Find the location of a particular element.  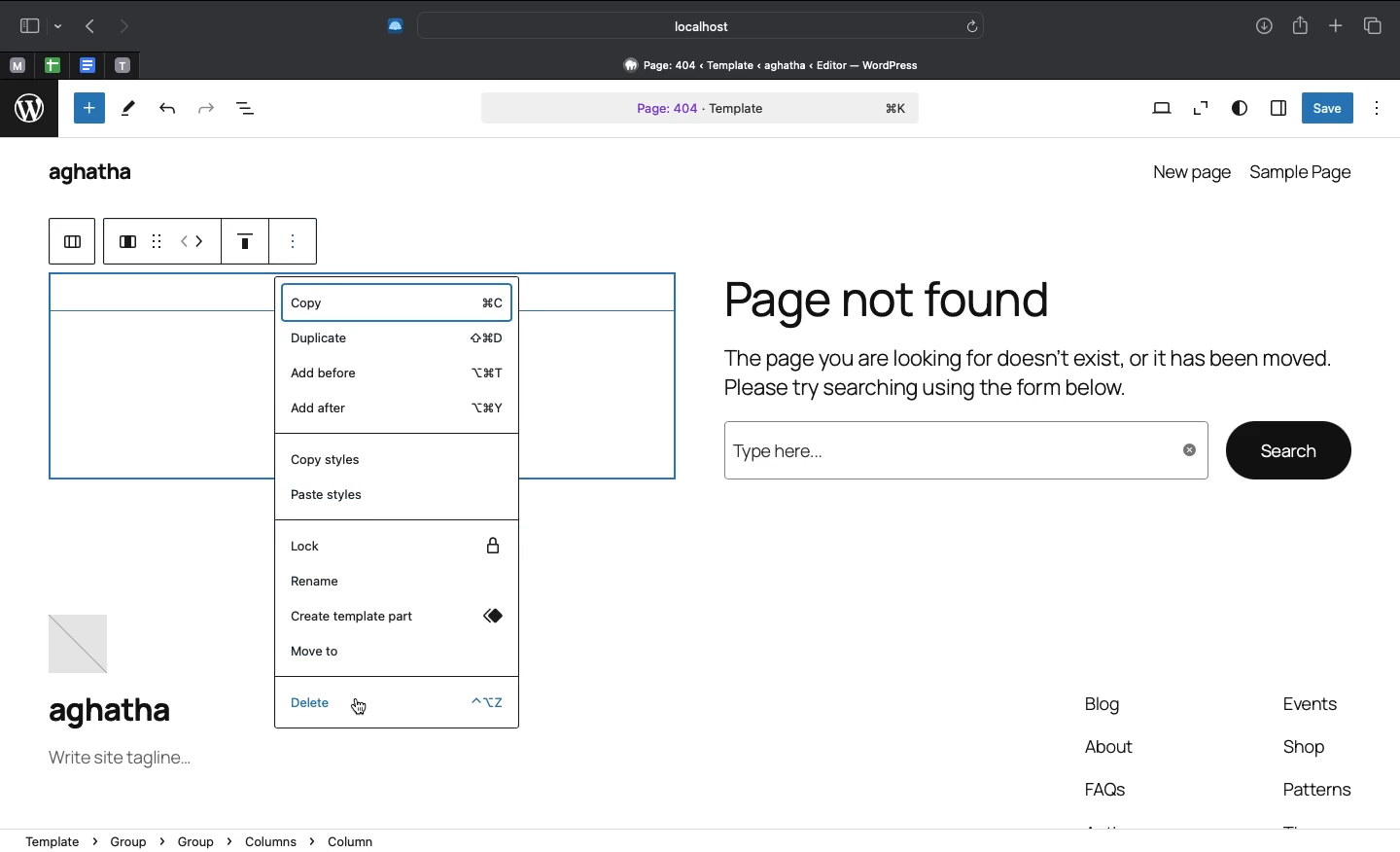

Redo is located at coordinates (122, 27).